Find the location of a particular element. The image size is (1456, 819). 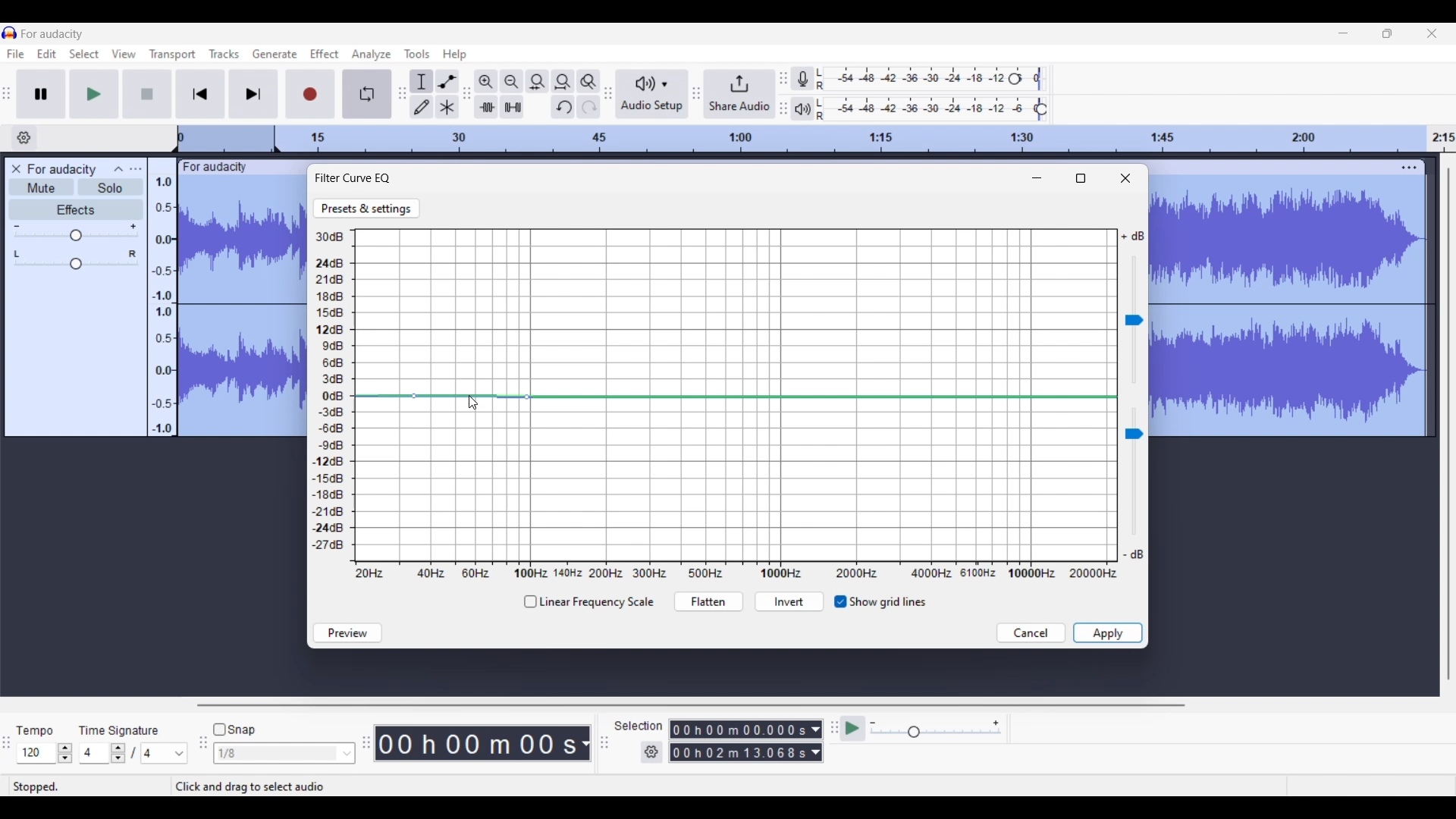

Effect menu is located at coordinates (324, 52).